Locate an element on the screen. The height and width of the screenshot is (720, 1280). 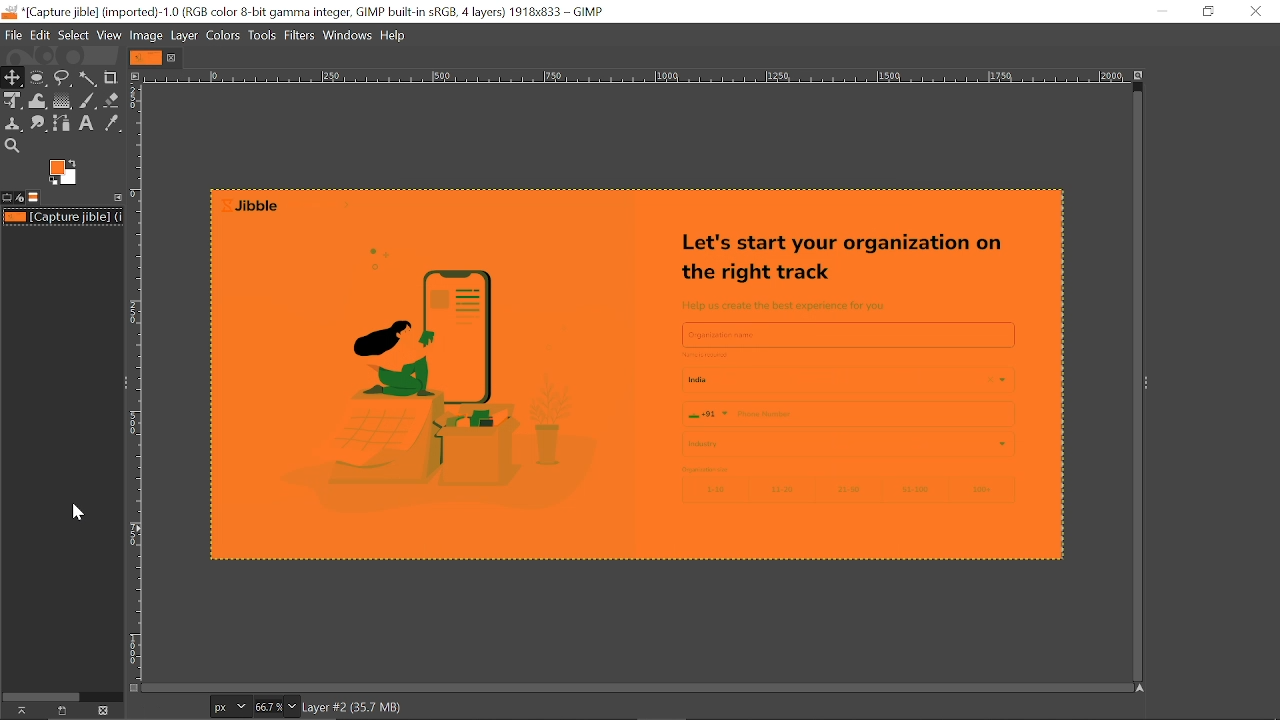
Horizontal label is located at coordinates (635, 78).